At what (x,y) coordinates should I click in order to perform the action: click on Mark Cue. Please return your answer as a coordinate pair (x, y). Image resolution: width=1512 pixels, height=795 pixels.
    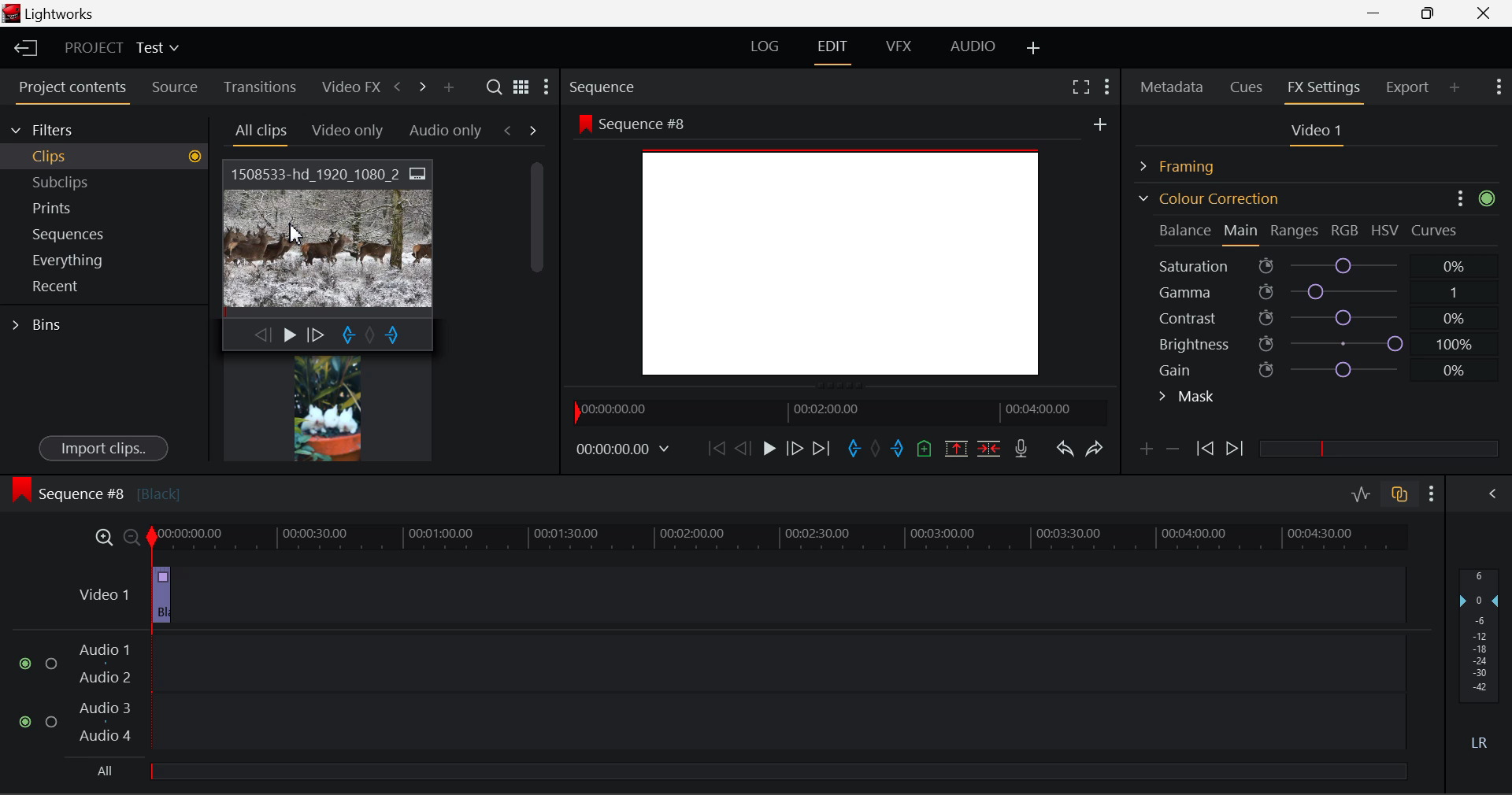
    Looking at the image, I should click on (923, 449).